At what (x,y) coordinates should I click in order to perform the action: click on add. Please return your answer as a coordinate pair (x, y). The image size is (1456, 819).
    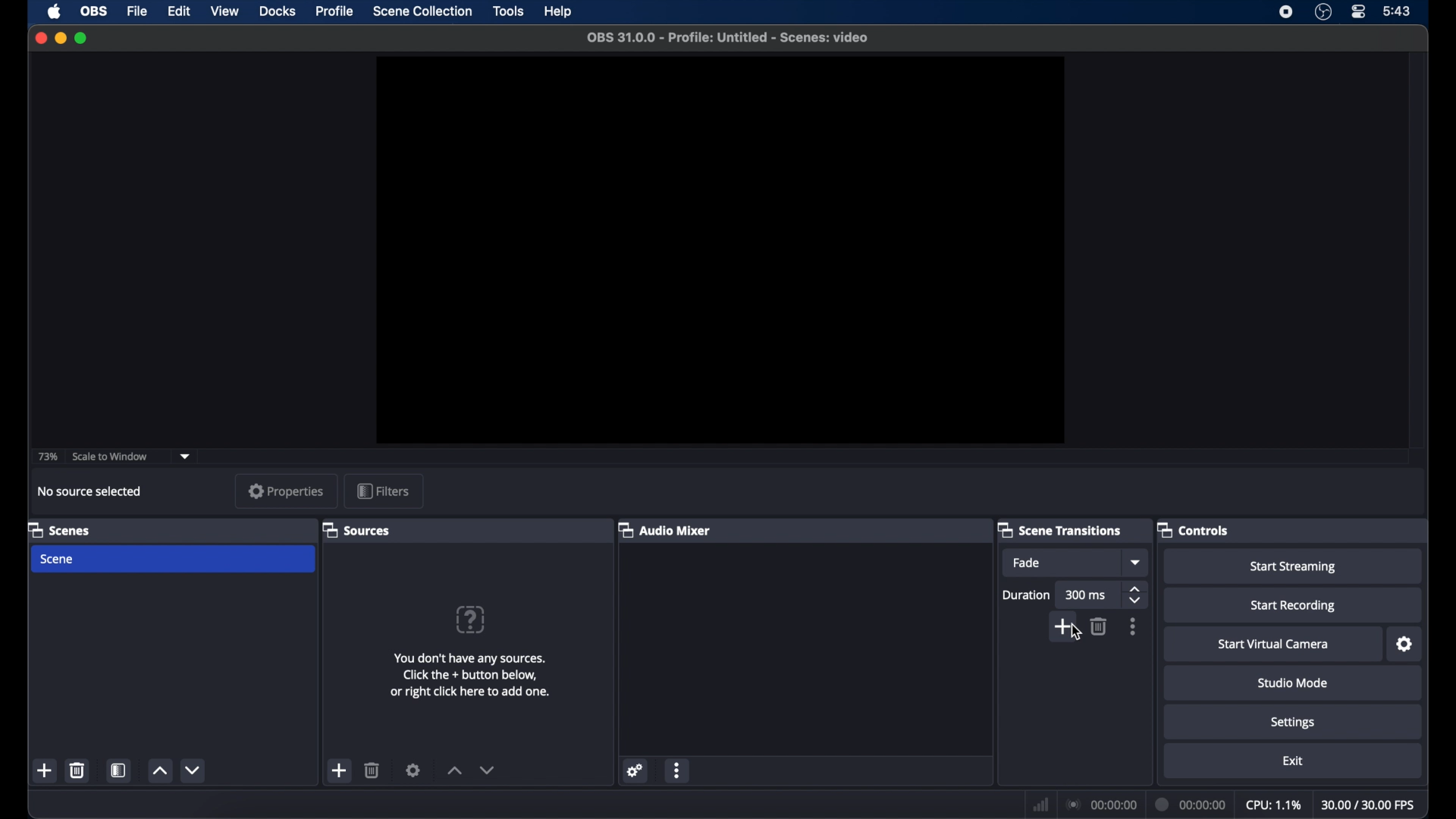
    Looking at the image, I should click on (45, 770).